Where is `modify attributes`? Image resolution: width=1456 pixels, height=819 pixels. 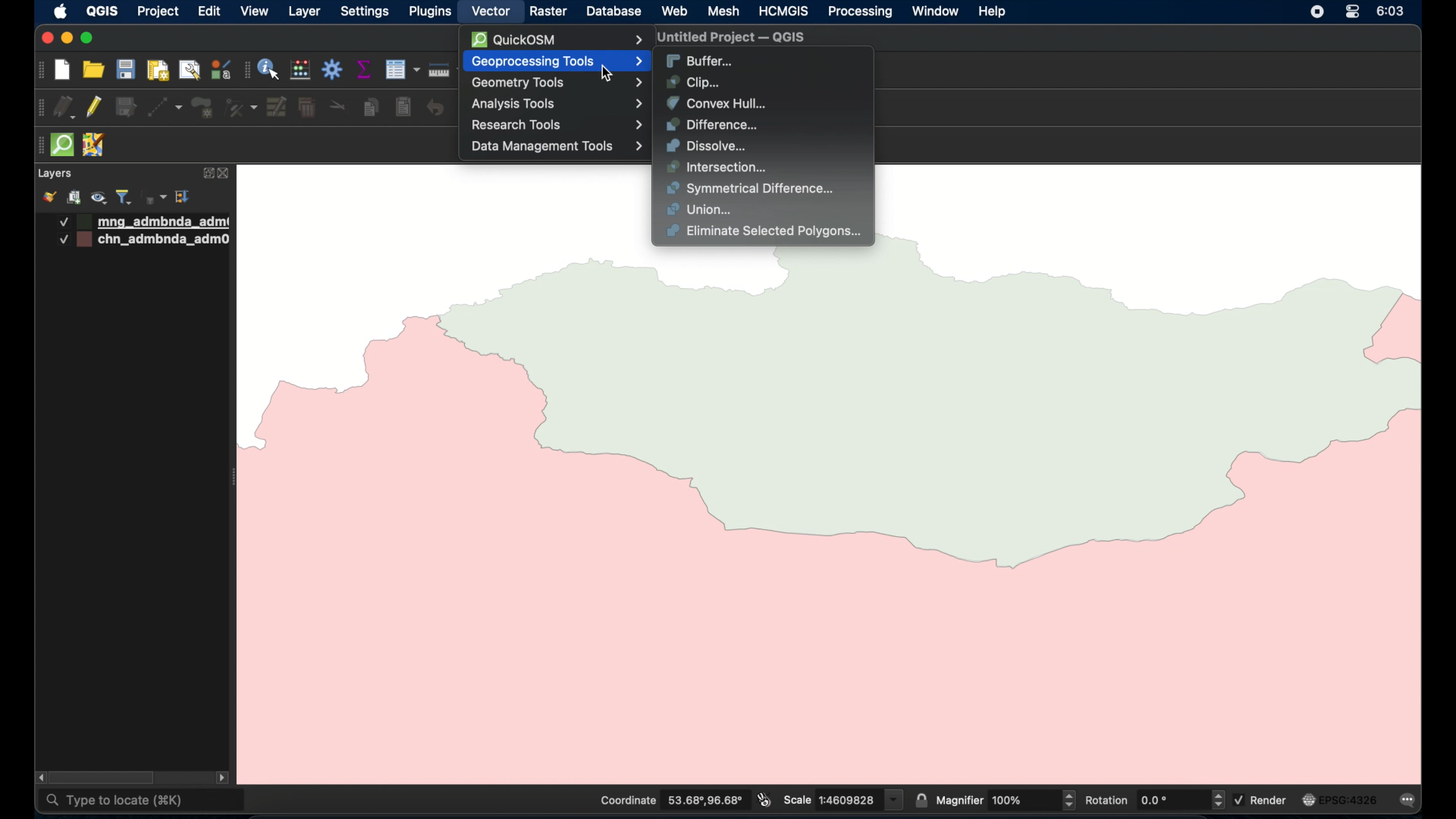 modify attributes is located at coordinates (278, 108).